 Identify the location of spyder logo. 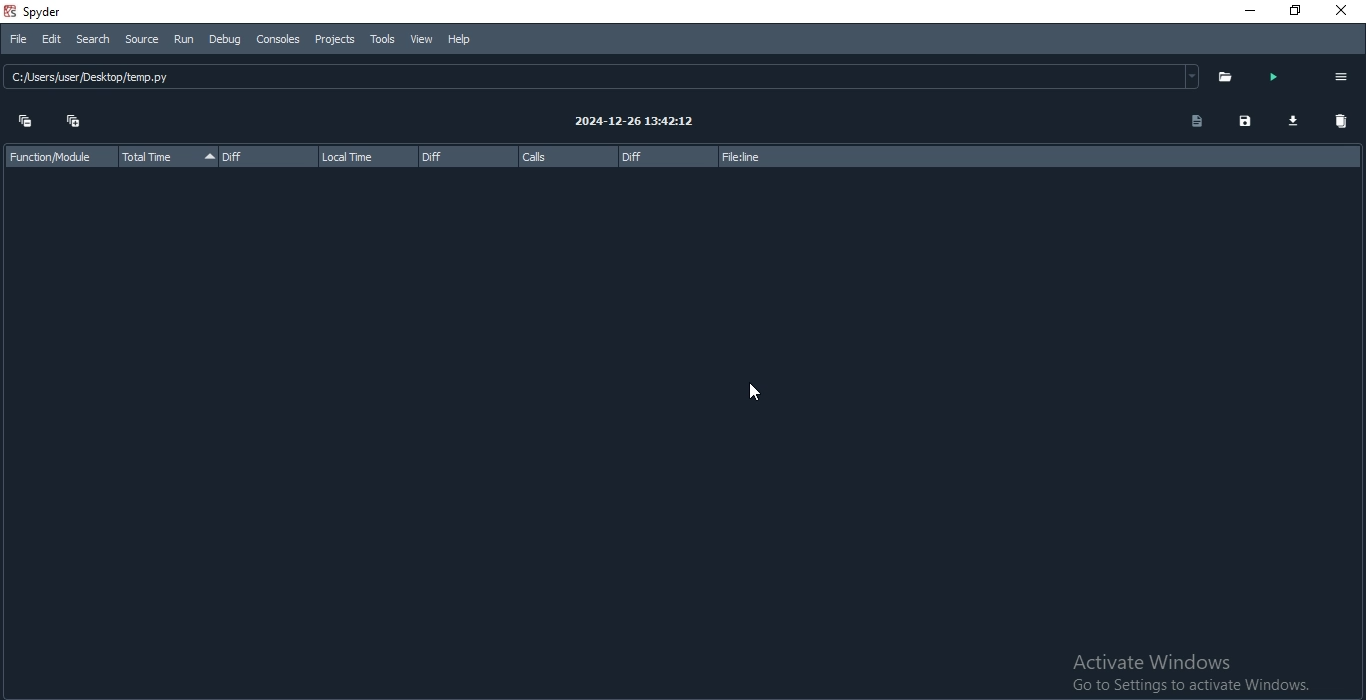
(9, 12).